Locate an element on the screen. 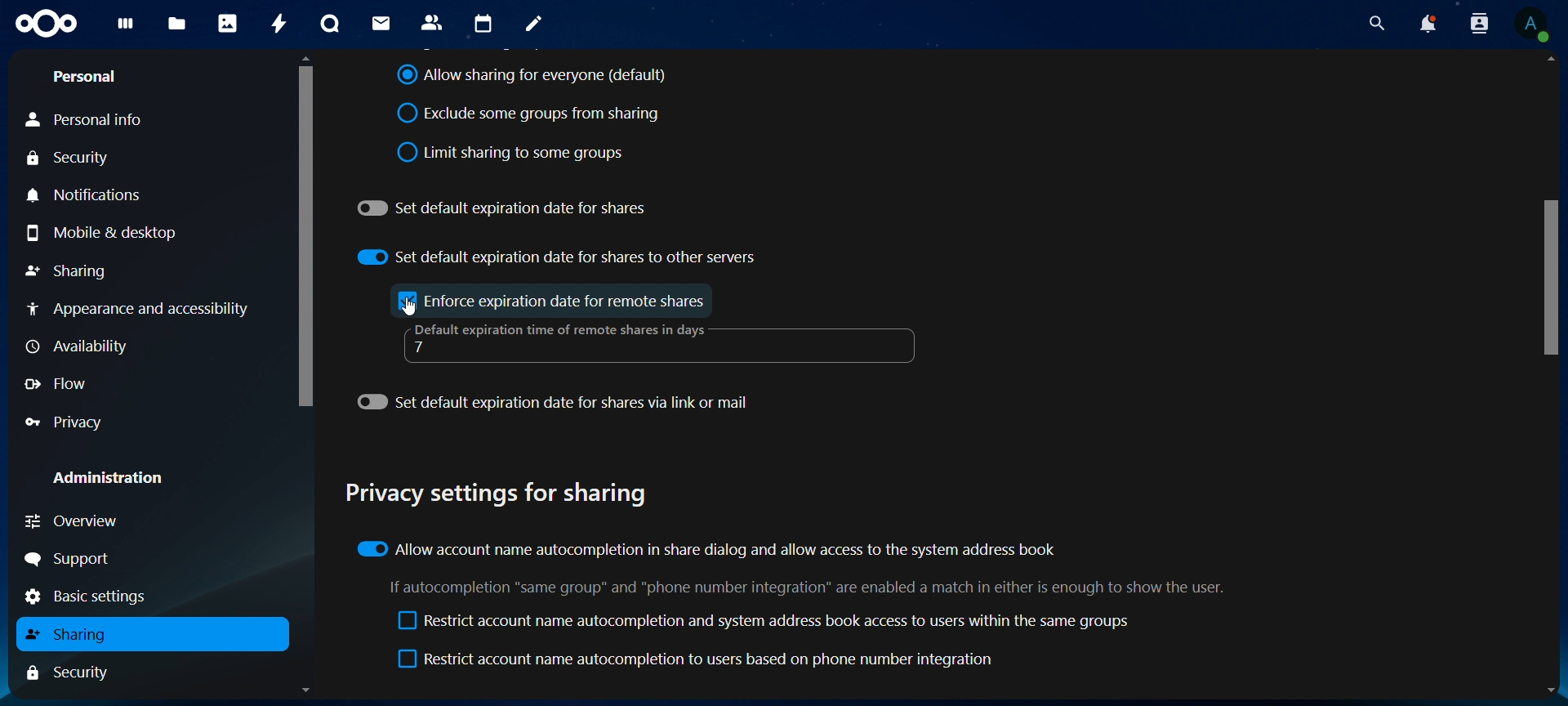 The image size is (1568, 706). Set default expiration date for shares to other servers is located at coordinates (557, 257).